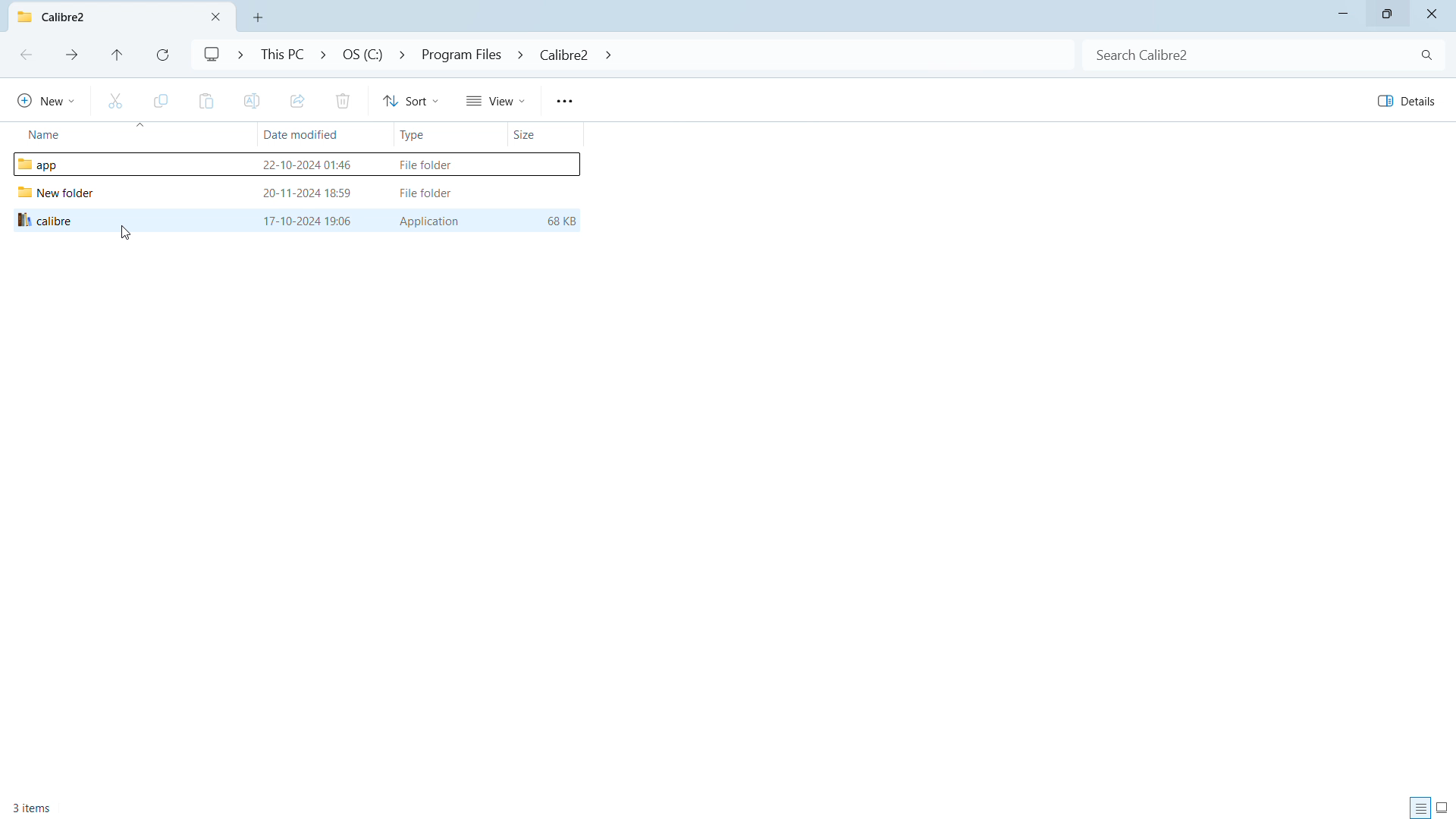 Image resolution: width=1456 pixels, height=819 pixels. Describe the element at coordinates (112, 102) in the screenshot. I see `cut` at that location.